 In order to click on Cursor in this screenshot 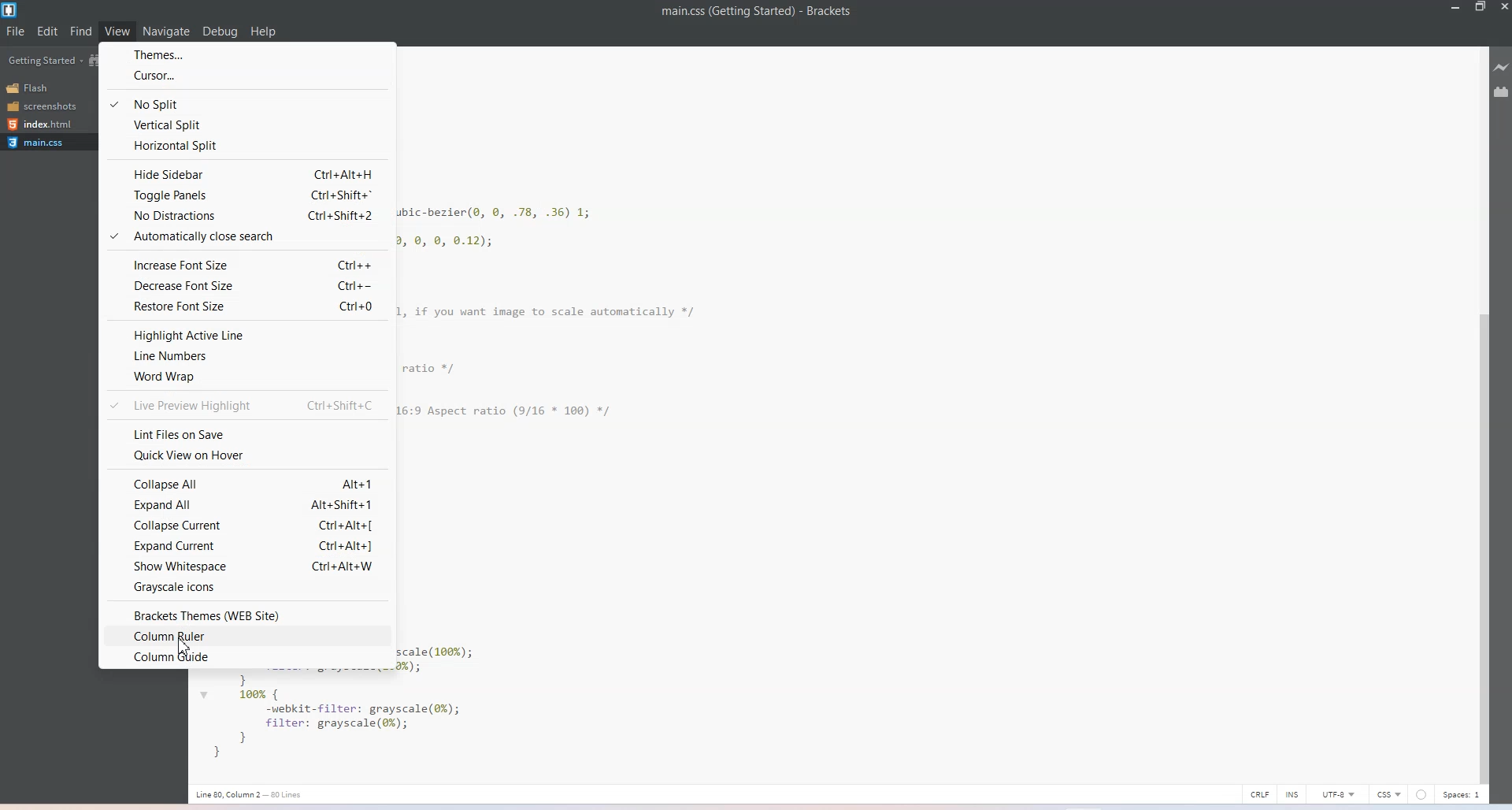, I will do `click(246, 74)`.